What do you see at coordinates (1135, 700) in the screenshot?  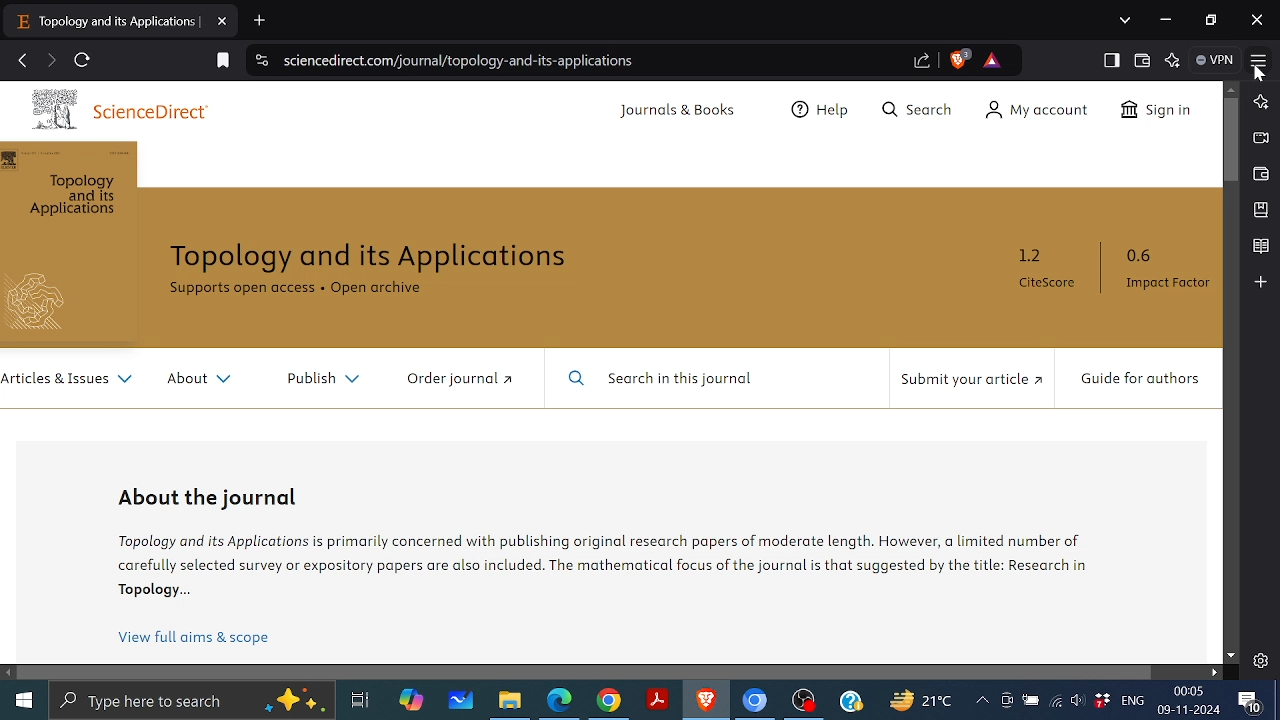 I see `ENG` at bounding box center [1135, 700].